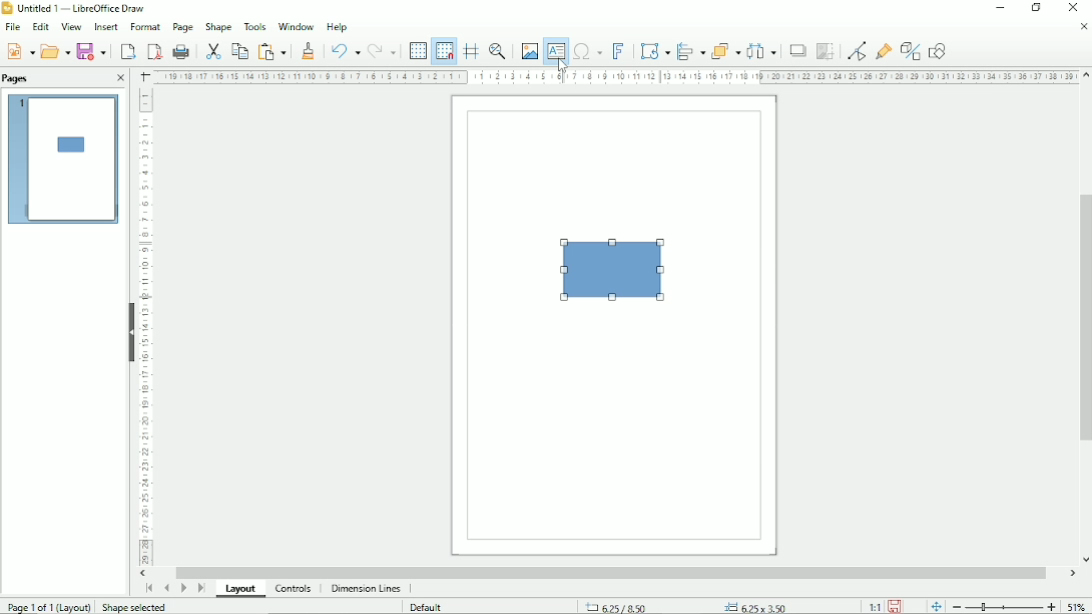 This screenshot has height=614, width=1092. What do you see at coordinates (763, 51) in the screenshot?
I see `Distribute` at bounding box center [763, 51].